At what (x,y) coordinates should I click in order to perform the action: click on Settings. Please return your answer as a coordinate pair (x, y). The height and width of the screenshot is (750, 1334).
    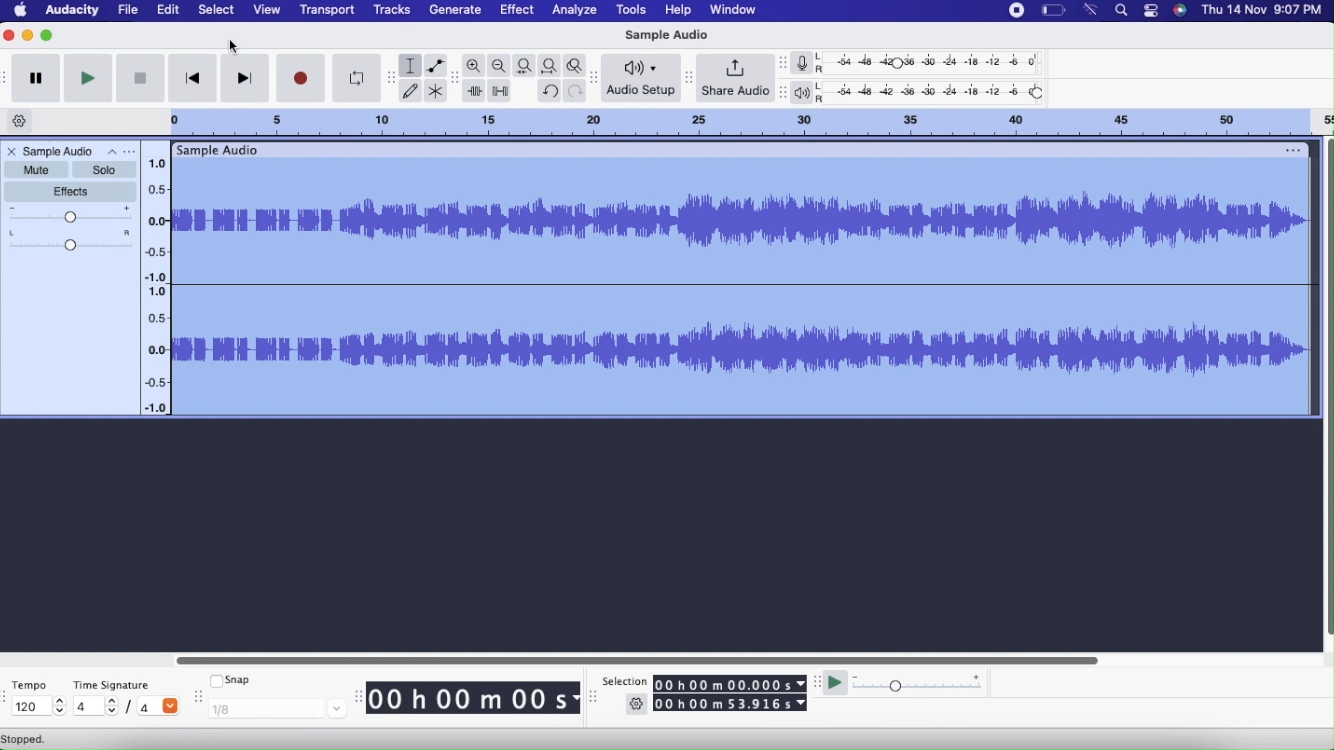
    Looking at the image, I should click on (637, 706).